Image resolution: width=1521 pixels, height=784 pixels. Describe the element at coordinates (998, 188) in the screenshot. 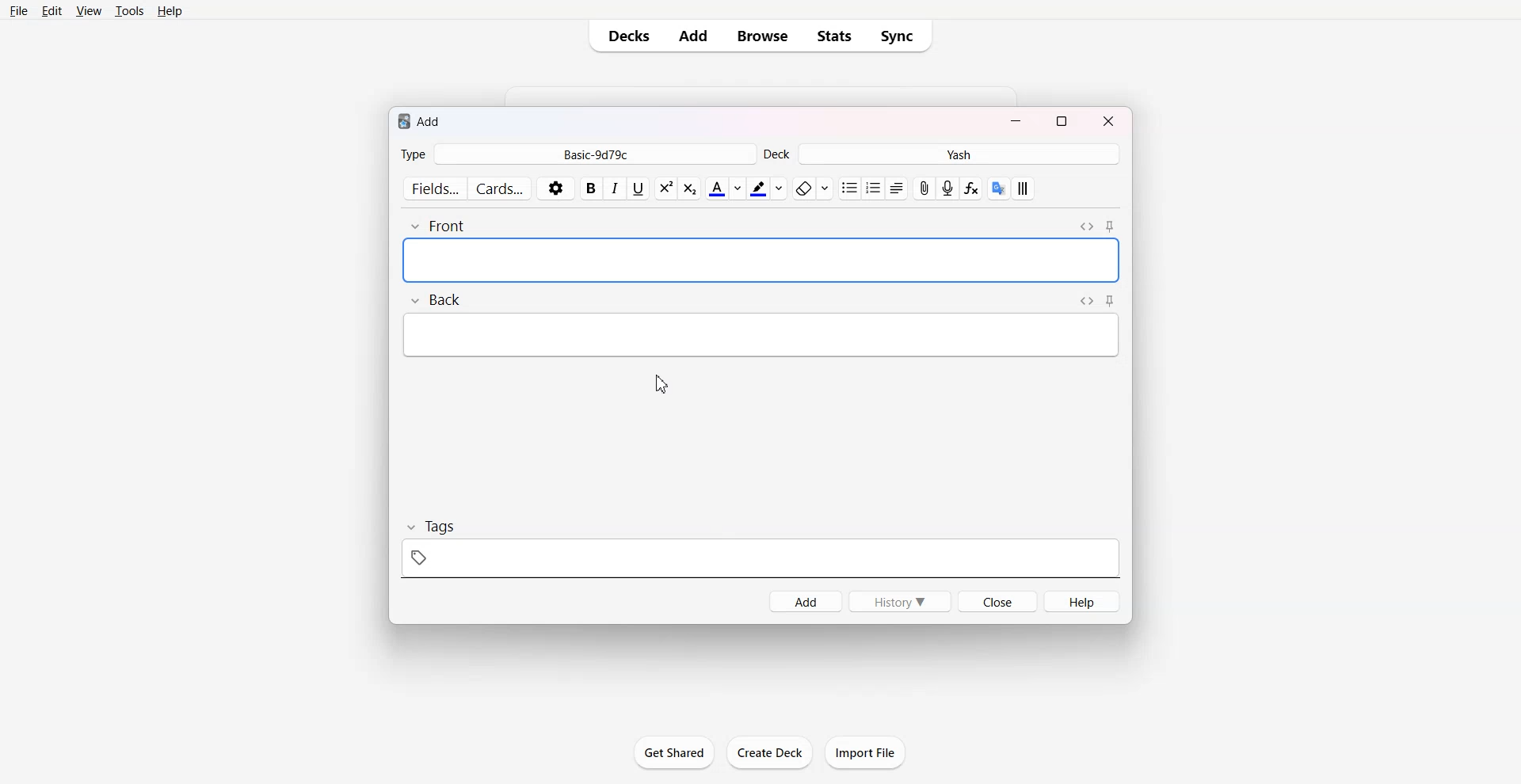

I see `Google Translate` at that location.